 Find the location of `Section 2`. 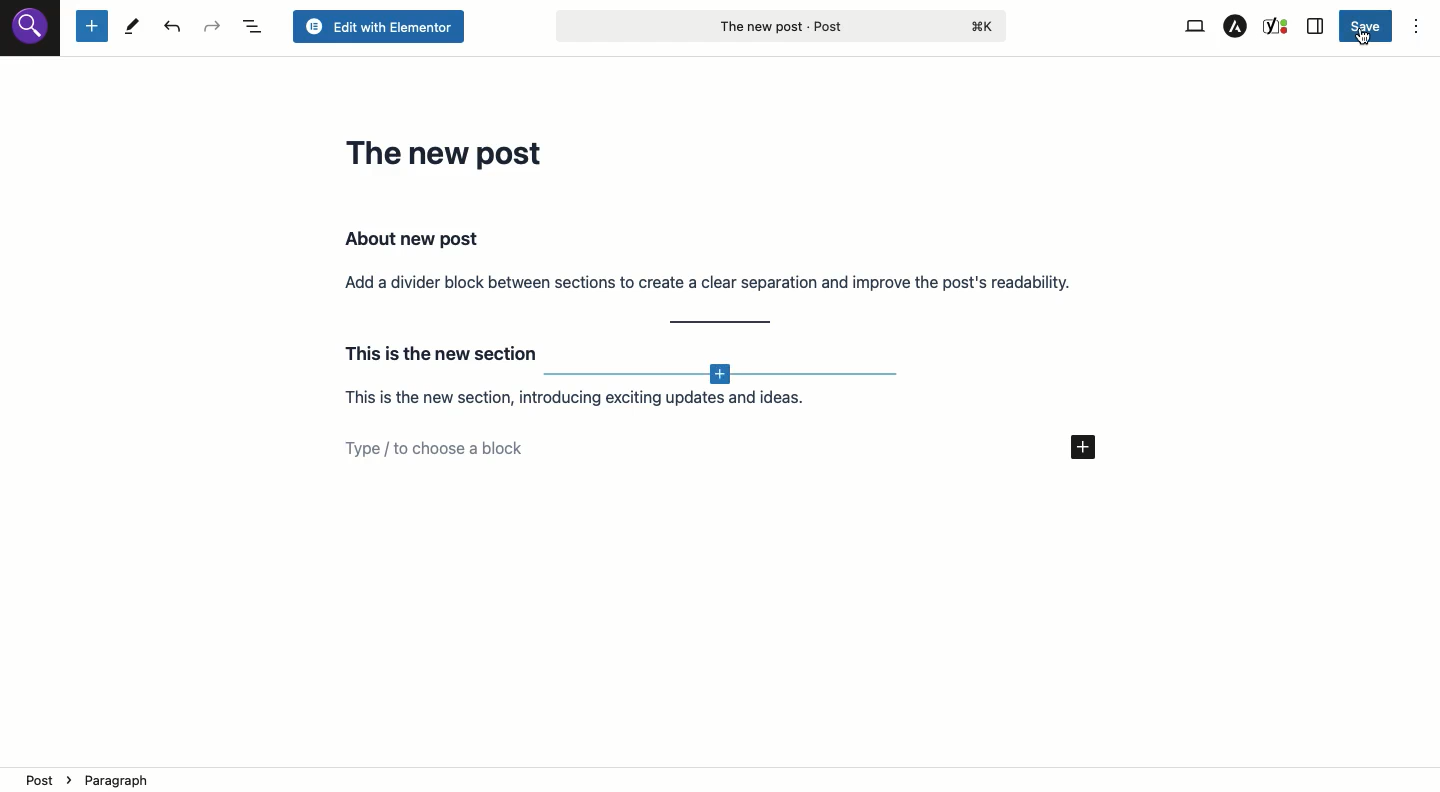

Section 2 is located at coordinates (602, 401).